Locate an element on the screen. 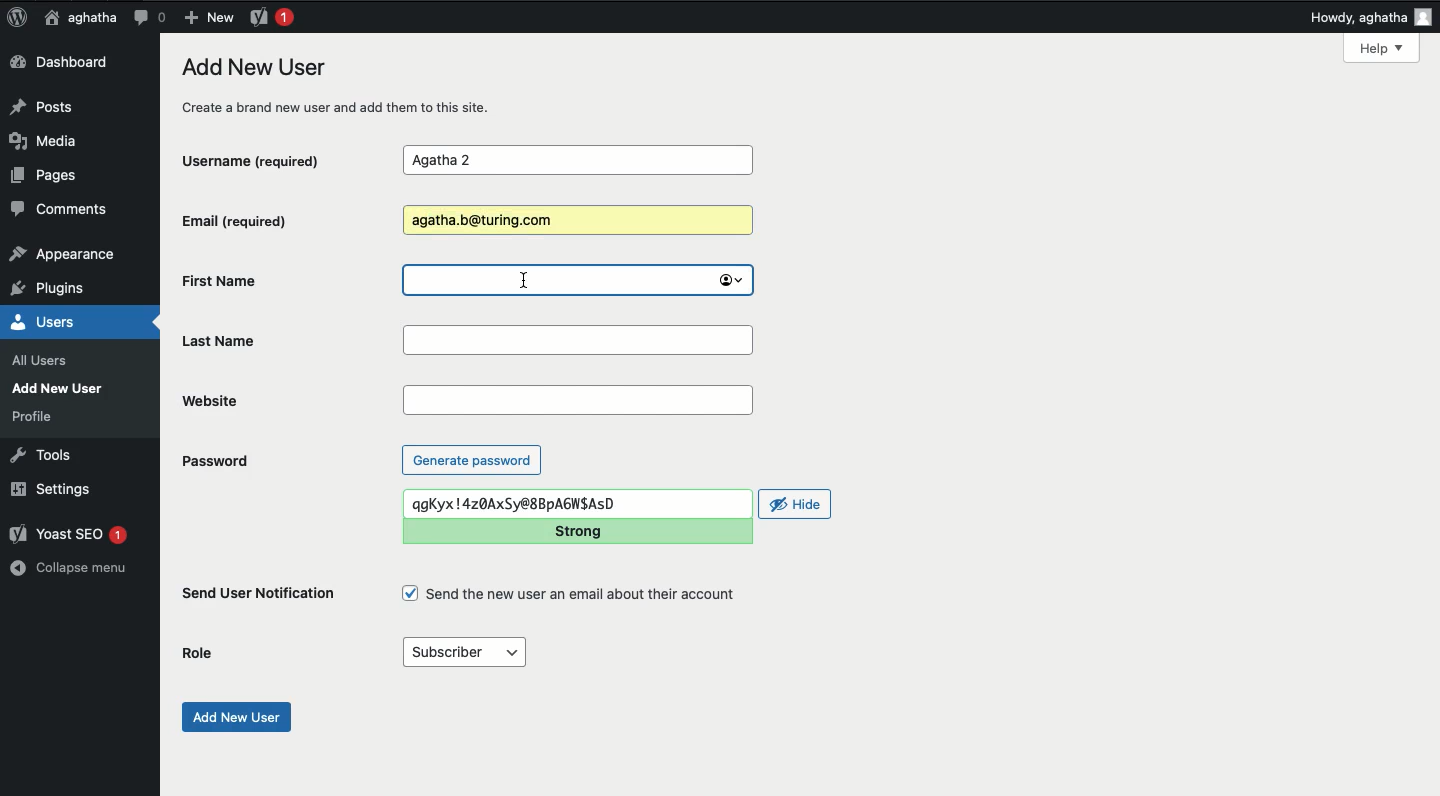 The image size is (1440, 796). Add new user create a bran new user and add them to this site. is located at coordinates (347, 86).